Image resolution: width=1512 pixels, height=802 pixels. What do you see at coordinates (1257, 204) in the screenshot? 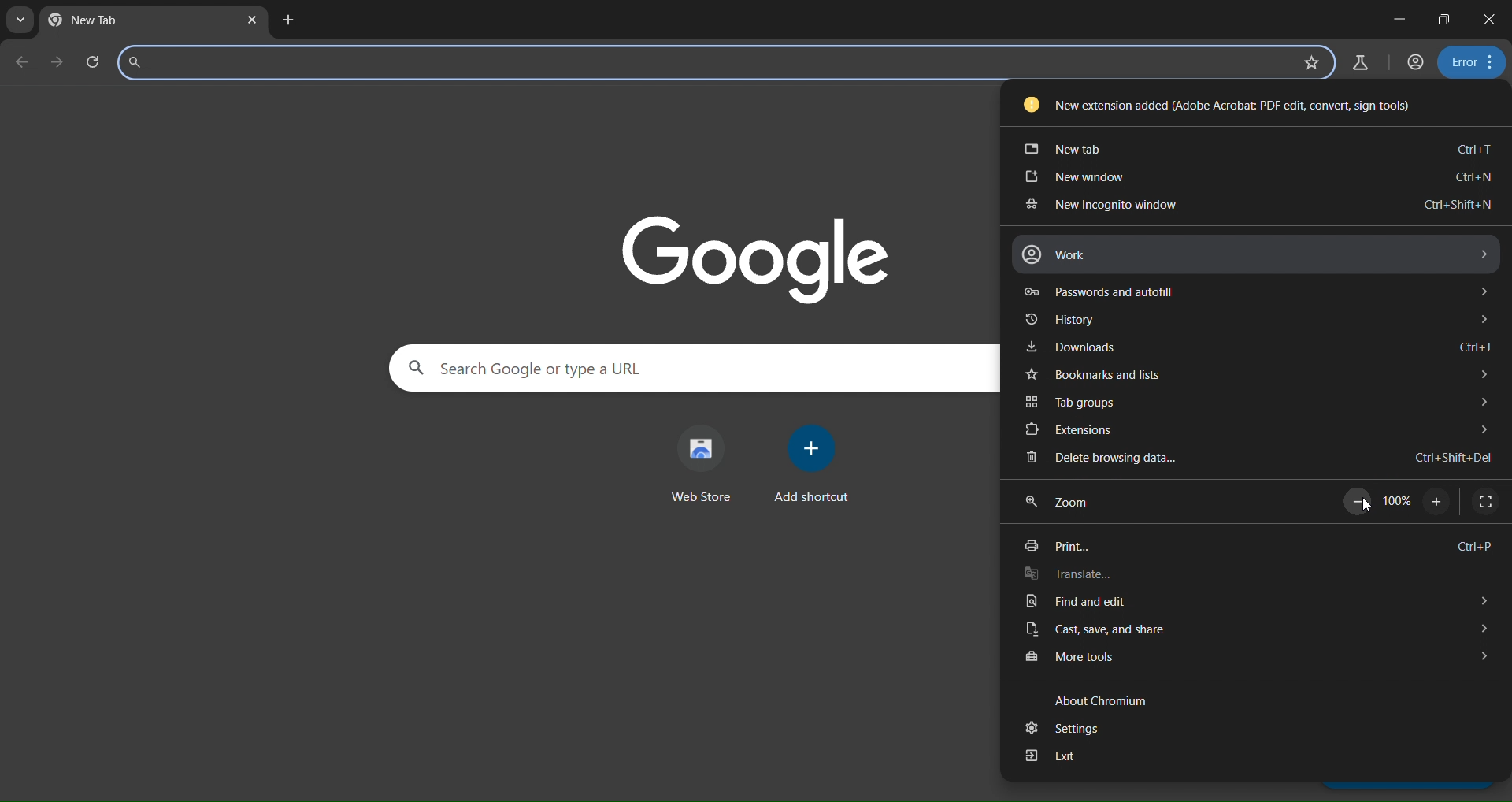
I see `new incognito window` at bounding box center [1257, 204].